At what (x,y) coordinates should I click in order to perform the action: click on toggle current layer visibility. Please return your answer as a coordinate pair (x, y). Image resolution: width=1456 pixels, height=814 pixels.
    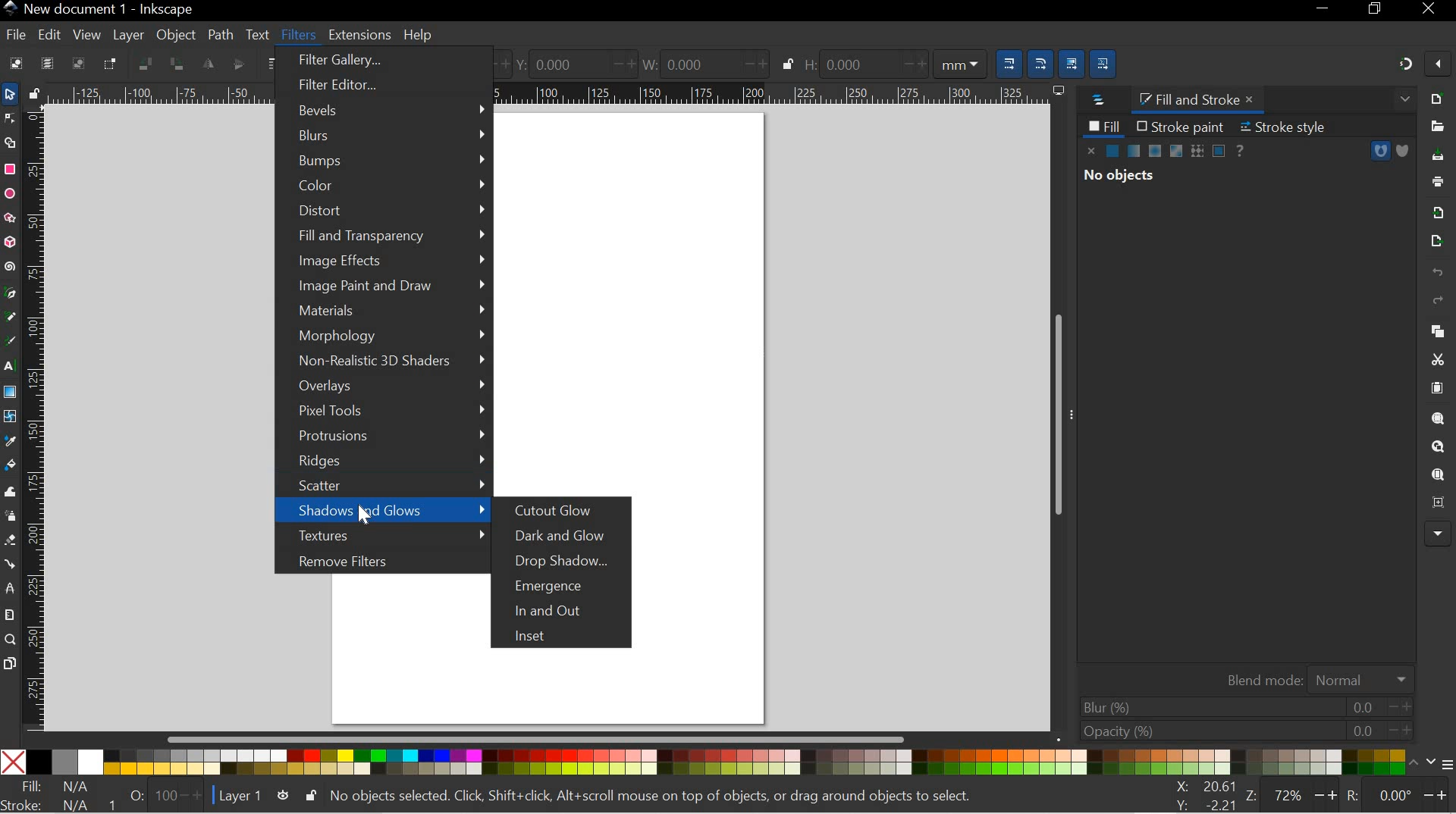
    Looking at the image, I should click on (283, 795).